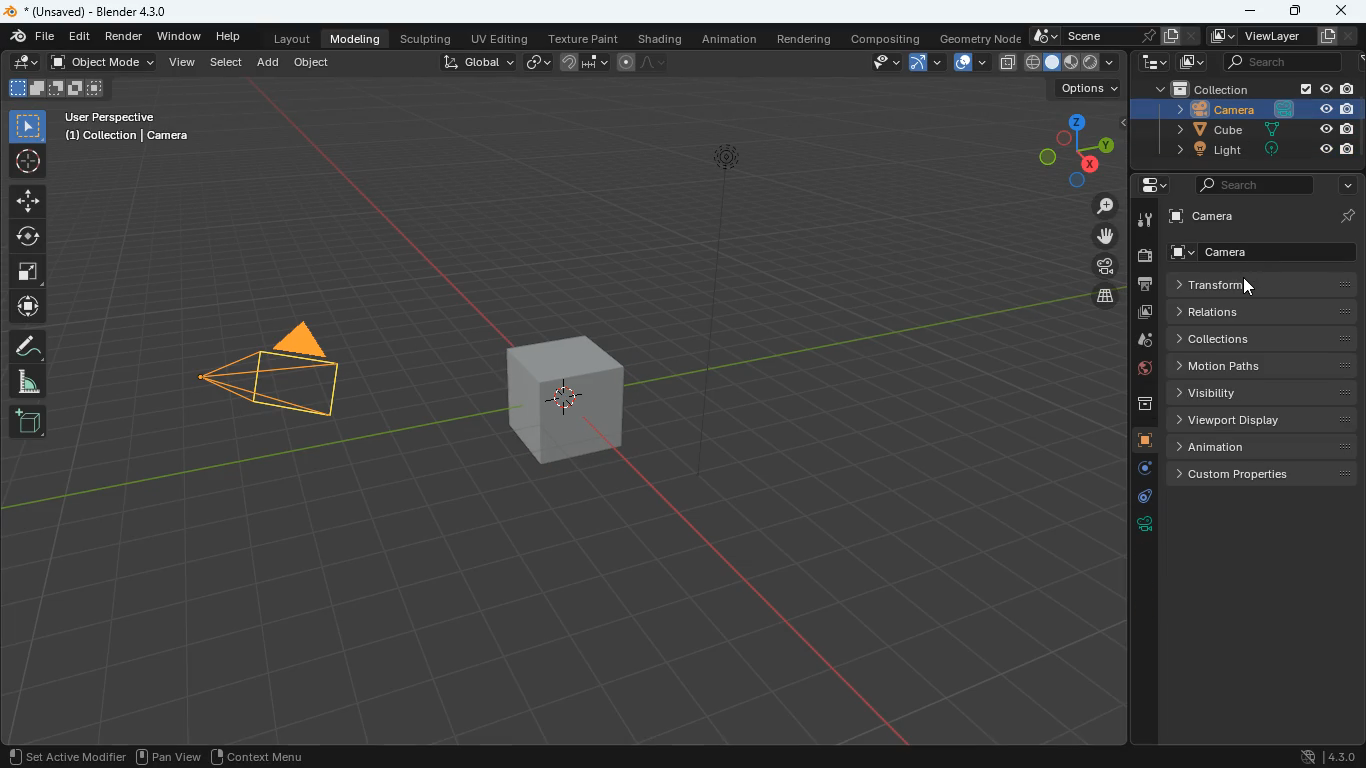 This screenshot has height=768, width=1366. Describe the element at coordinates (183, 65) in the screenshot. I see `view` at that location.